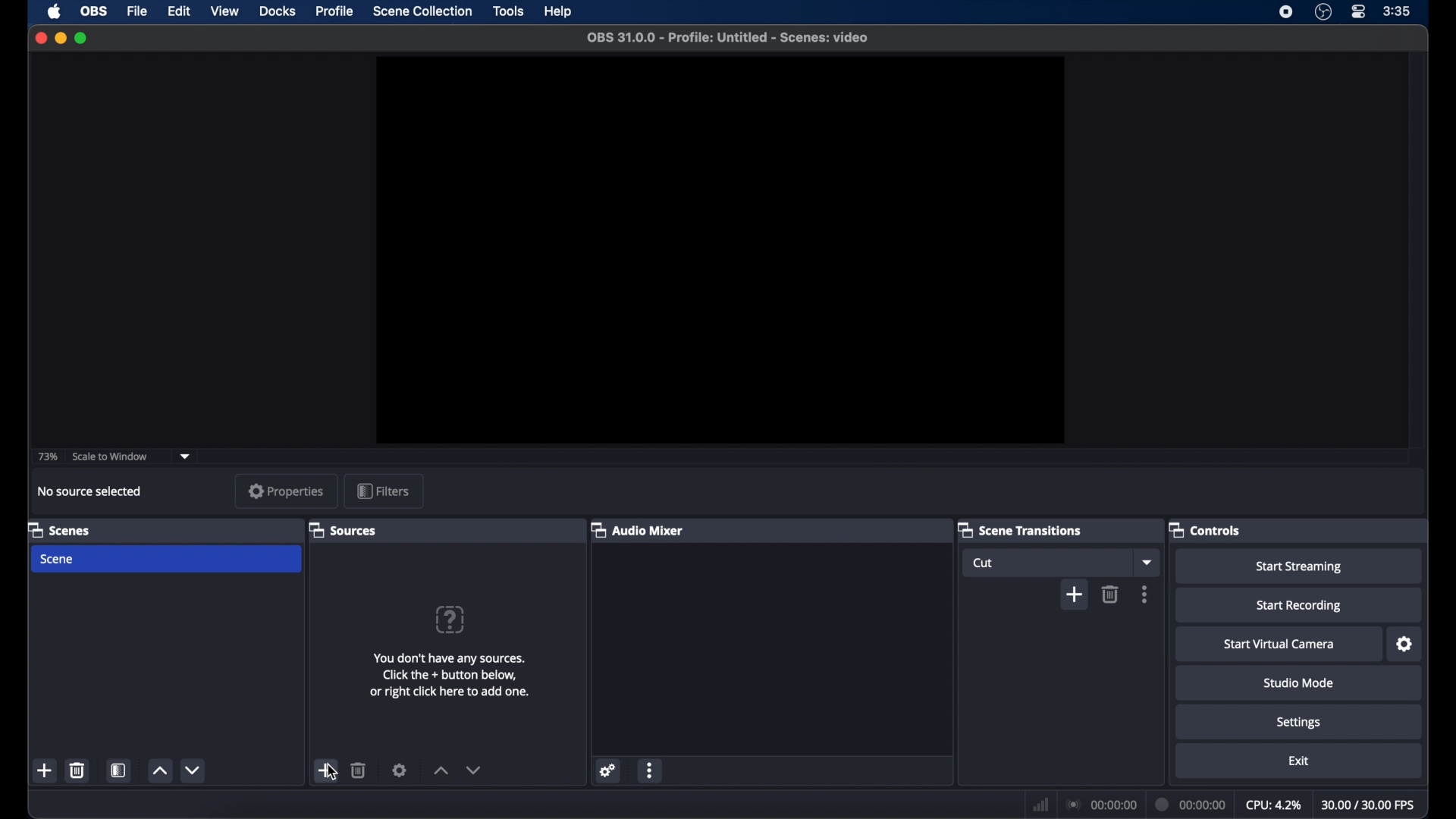  I want to click on time, so click(1397, 11).